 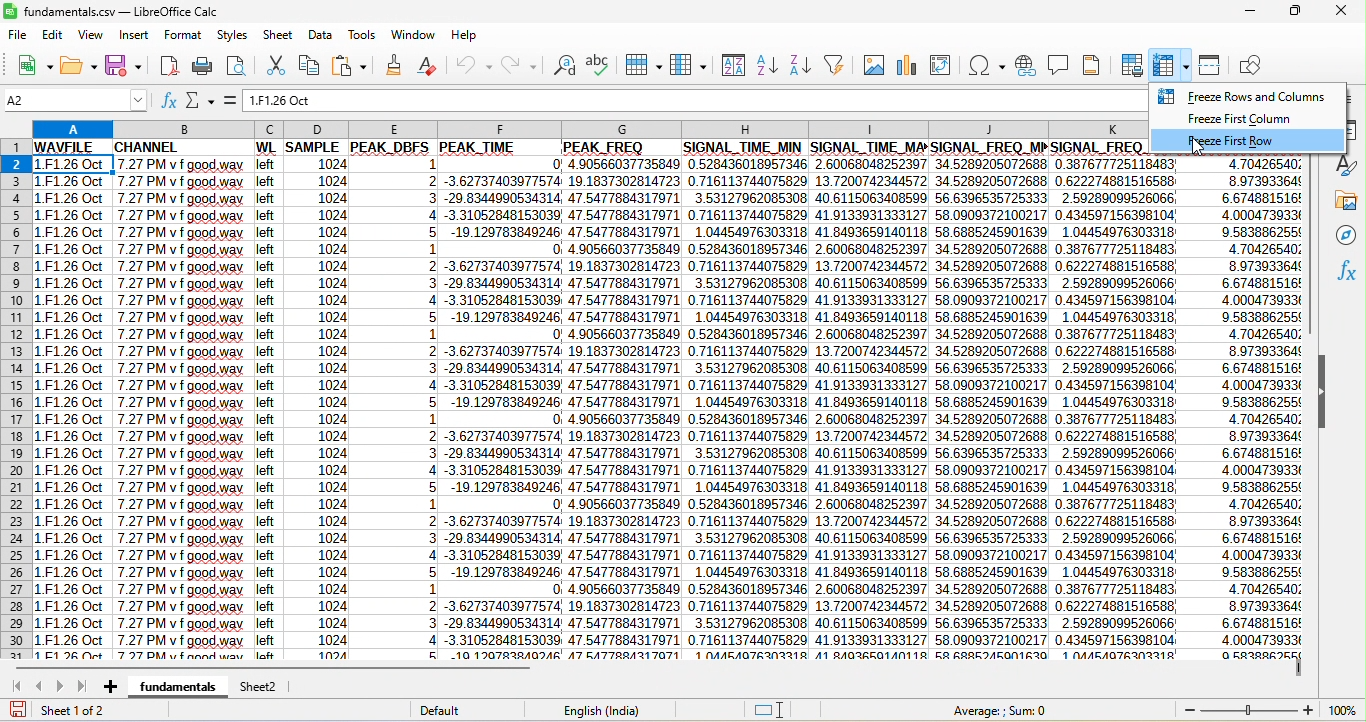 What do you see at coordinates (274, 64) in the screenshot?
I see `cut` at bounding box center [274, 64].